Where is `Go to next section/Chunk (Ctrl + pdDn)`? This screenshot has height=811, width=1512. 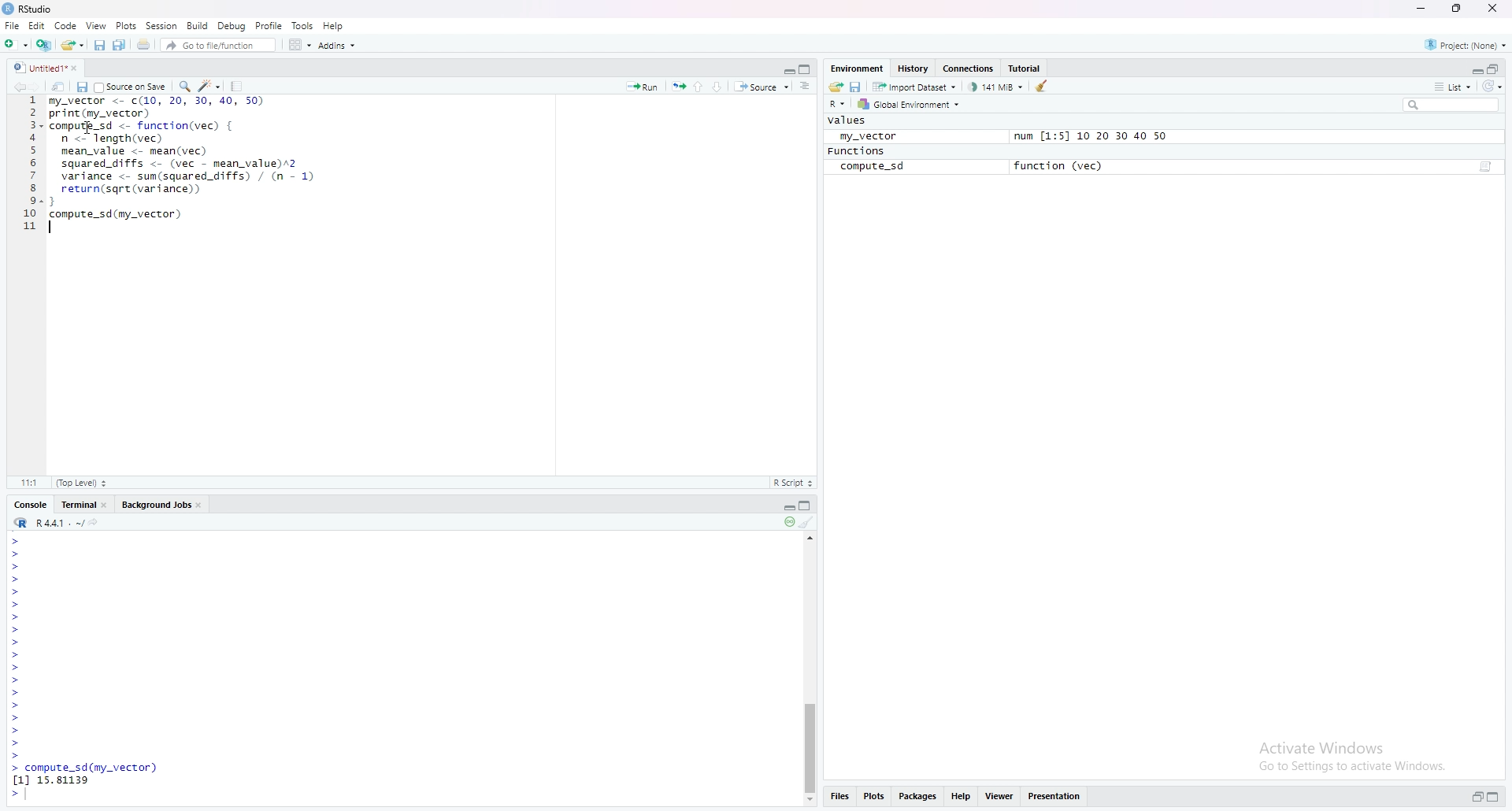 Go to next section/Chunk (Ctrl + pdDn) is located at coordinates (720, 85).